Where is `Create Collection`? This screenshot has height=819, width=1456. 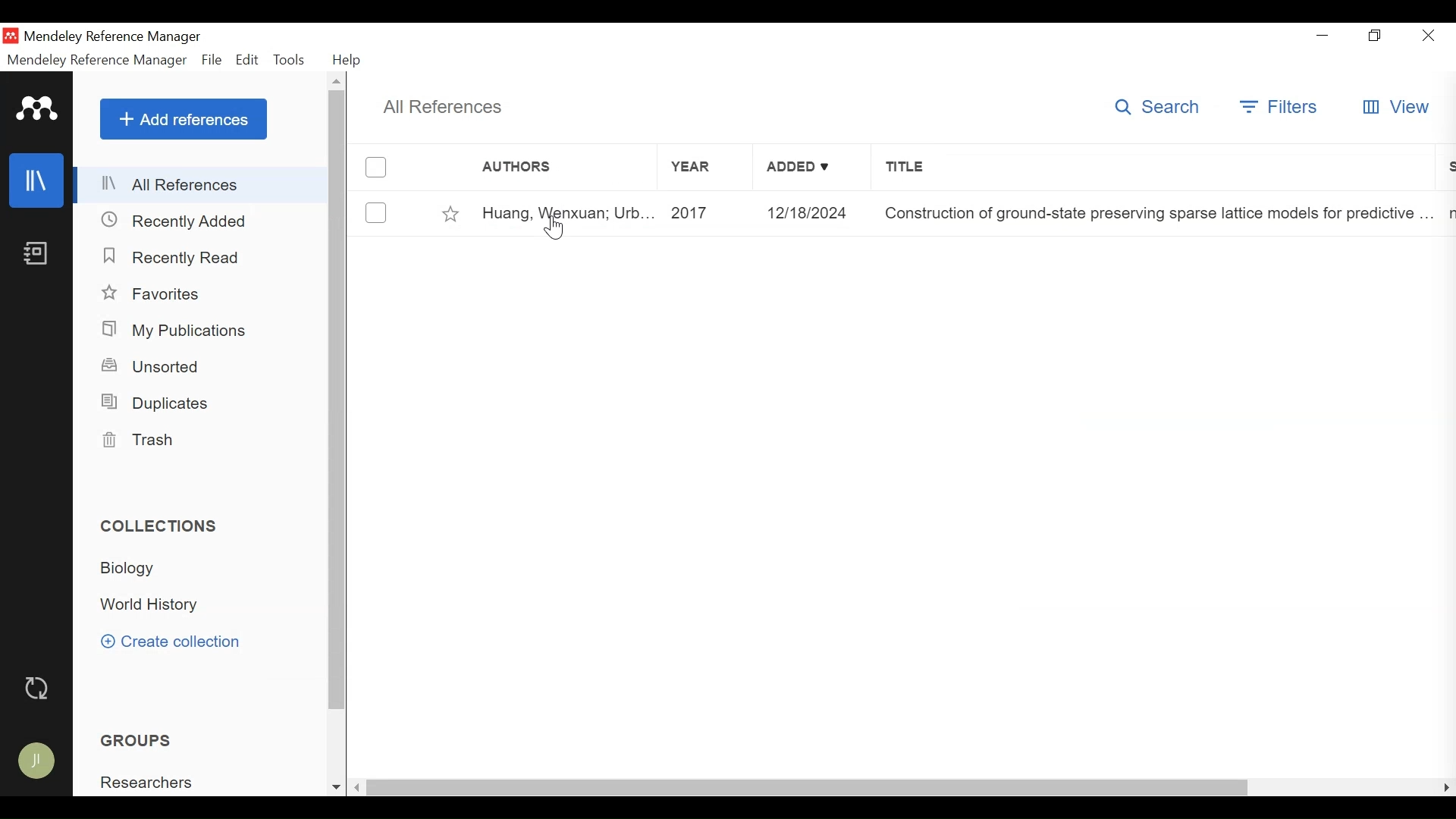
Create Collection is located at coordinates (176, 642).